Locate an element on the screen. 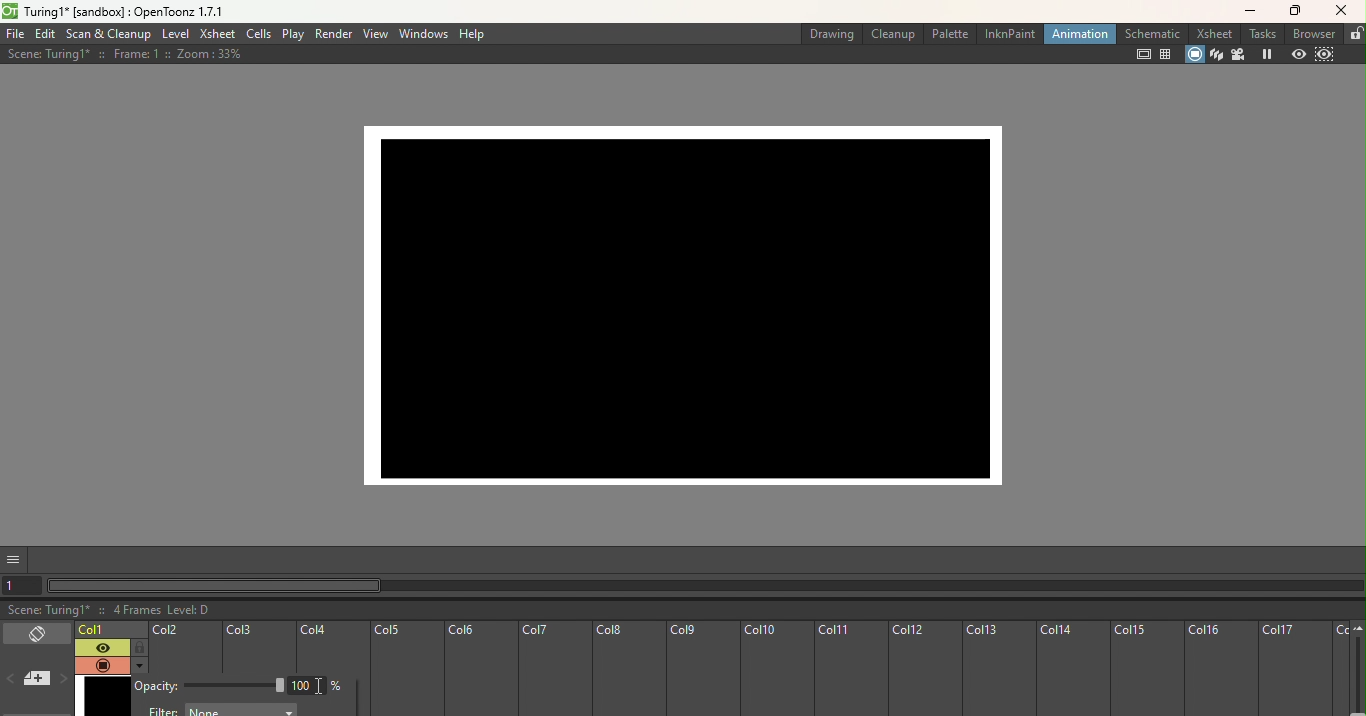 Image resolution: width=1366 pixels, height=716 pixels. Col3 is located at coordinates (259, 648).